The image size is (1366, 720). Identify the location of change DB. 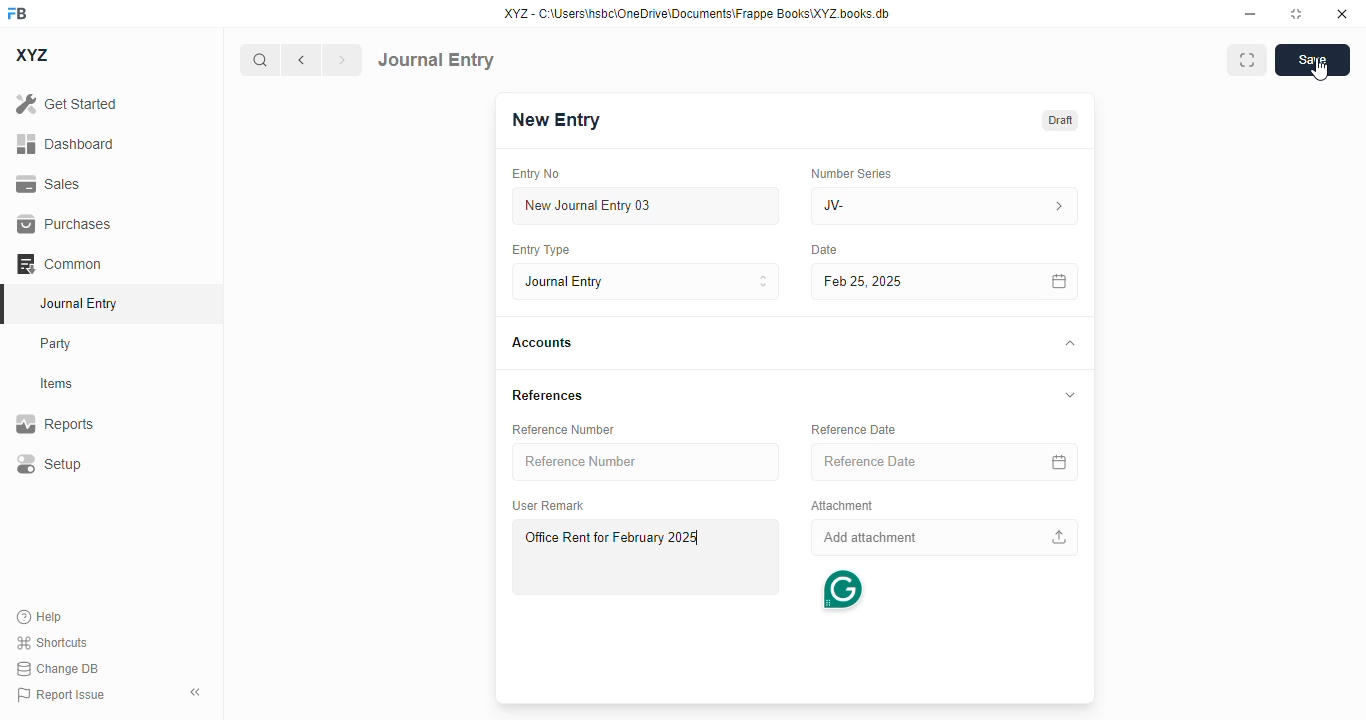
(58, 668).